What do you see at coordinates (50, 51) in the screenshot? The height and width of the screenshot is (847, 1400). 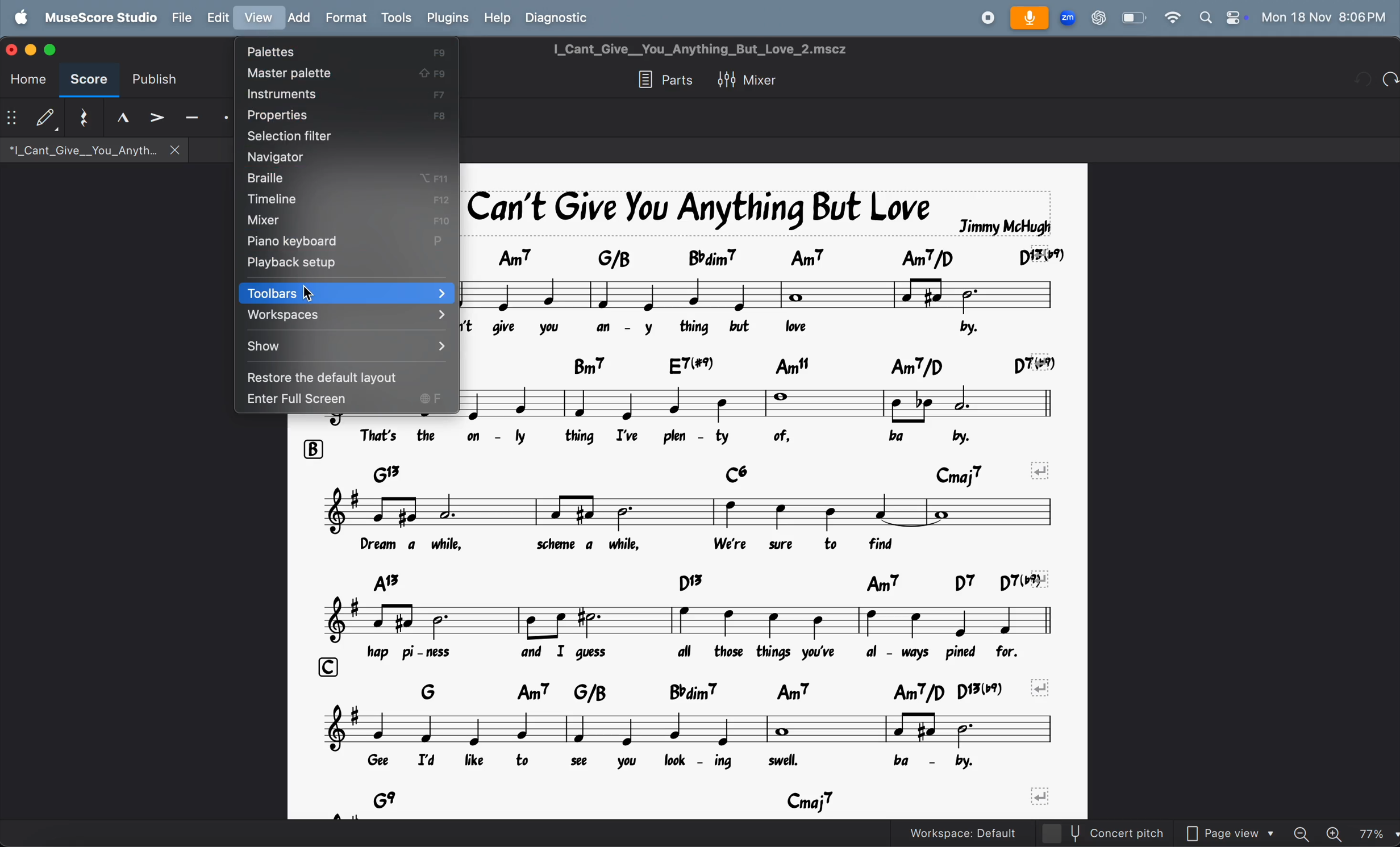 I see `score` at bounding box center [50, 51].